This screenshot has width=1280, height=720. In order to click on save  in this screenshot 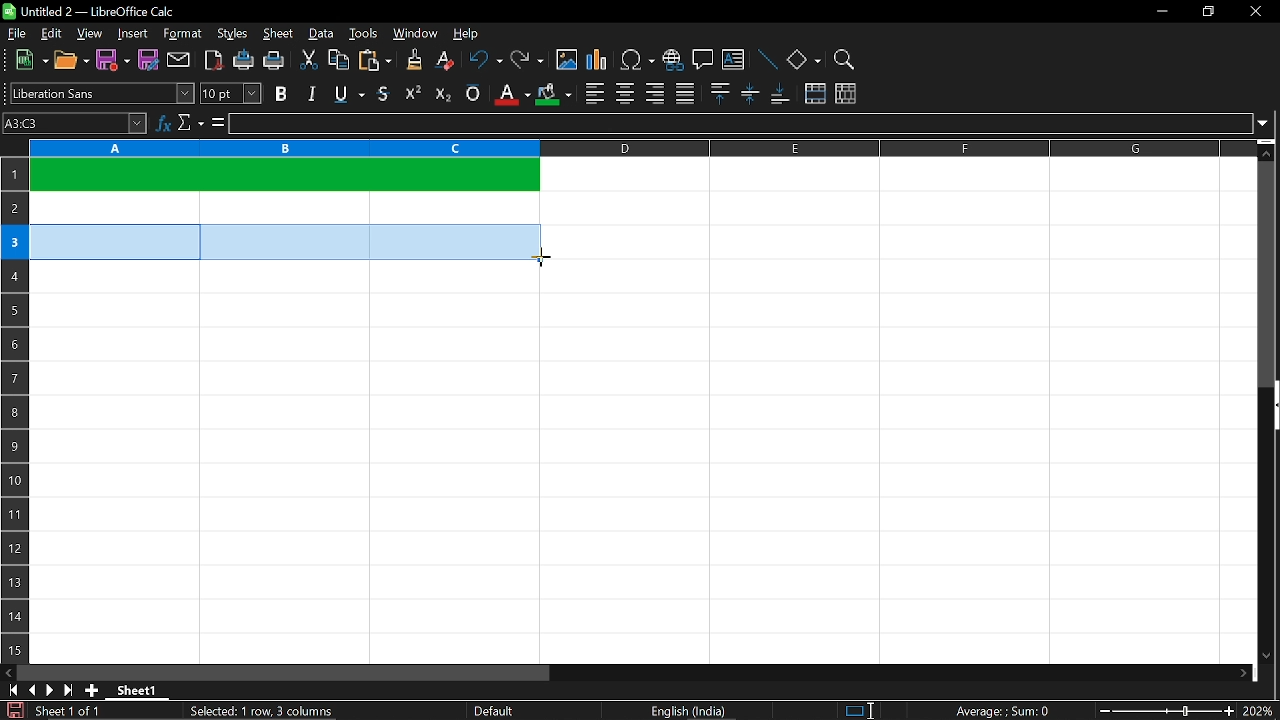, I will do `click(12, 710)`.